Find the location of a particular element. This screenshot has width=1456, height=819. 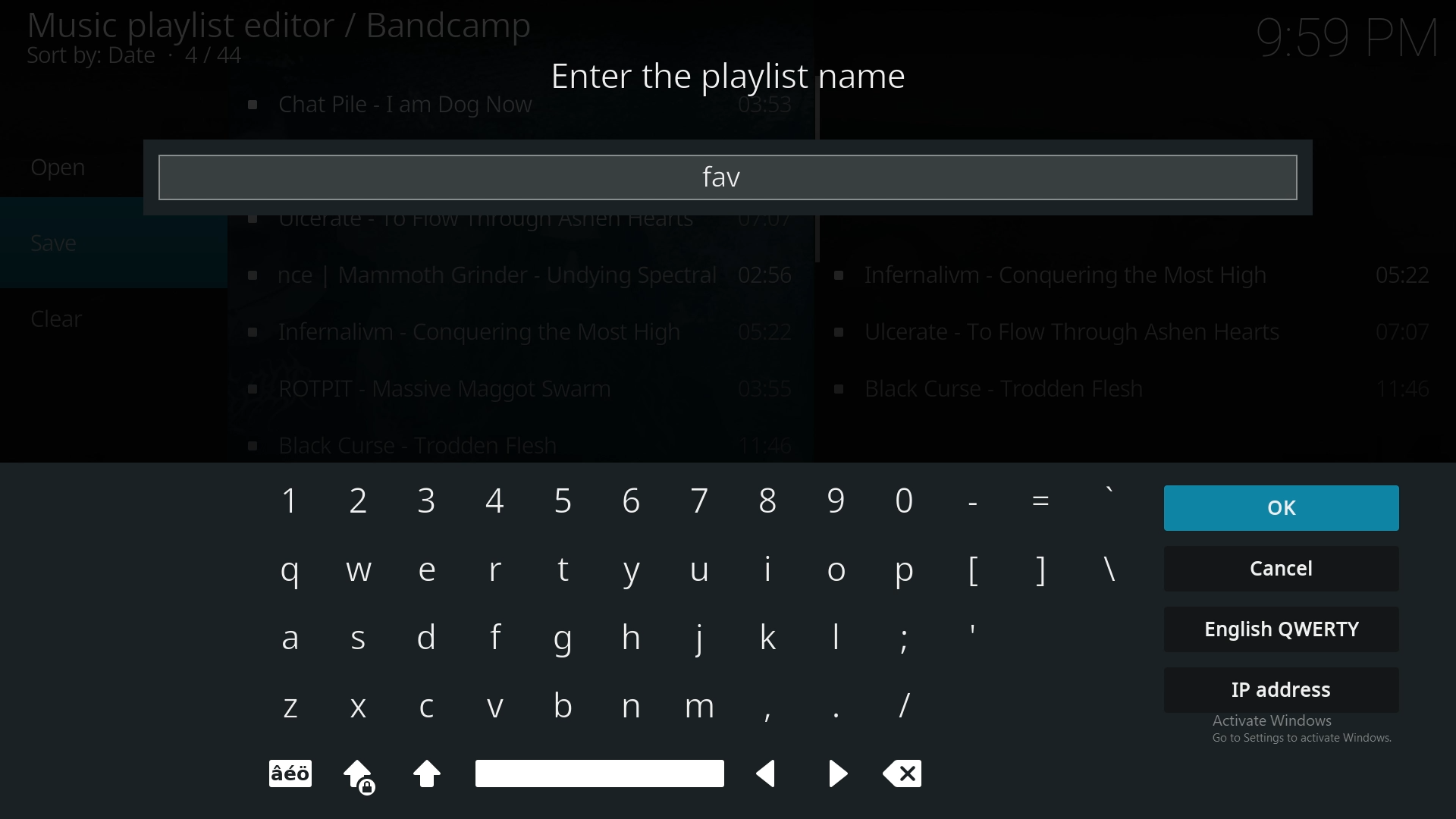

keyboard input is located at coordinates (289, 575).